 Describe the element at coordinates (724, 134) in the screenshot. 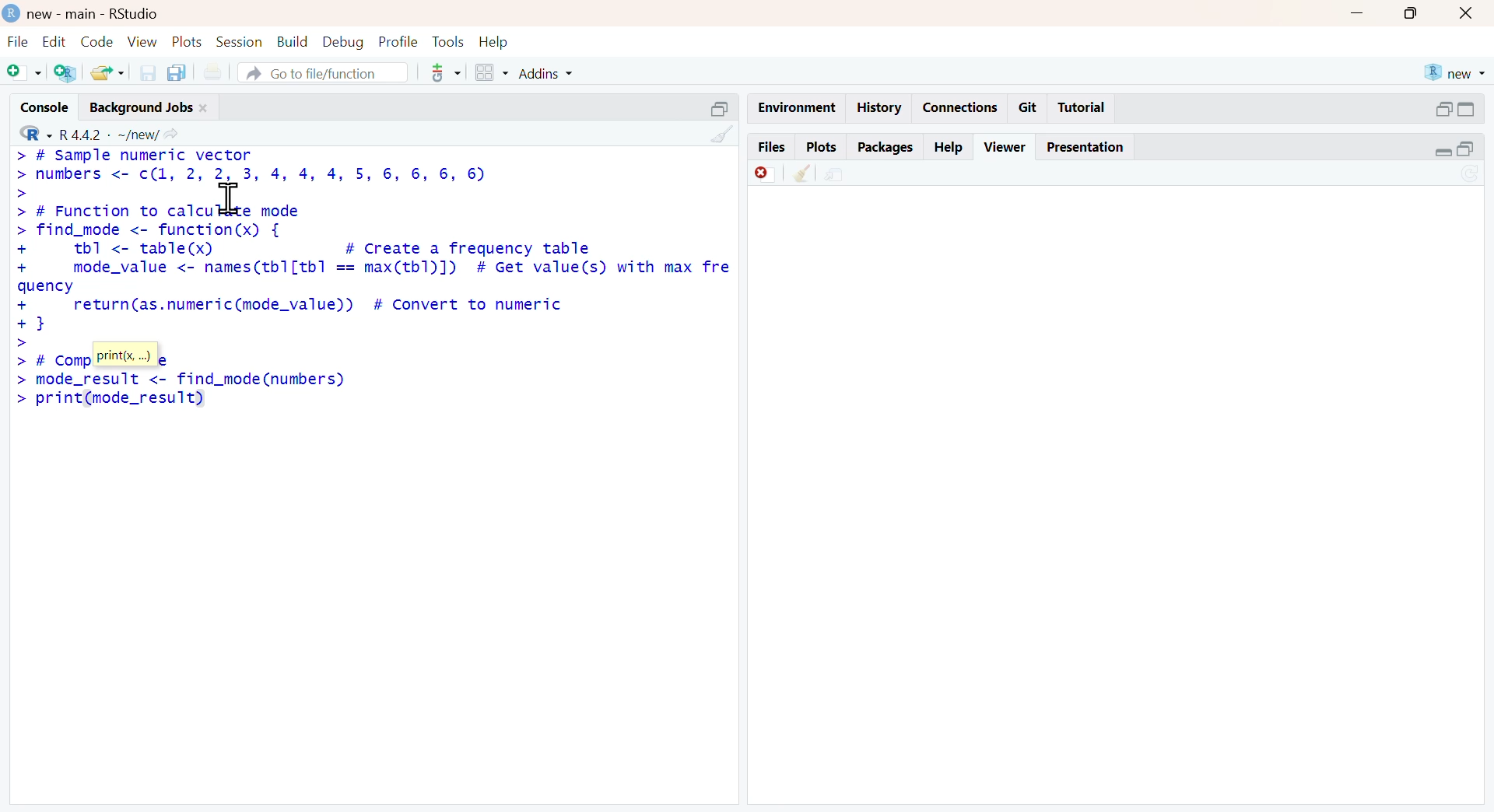

I see `clean` at that location.